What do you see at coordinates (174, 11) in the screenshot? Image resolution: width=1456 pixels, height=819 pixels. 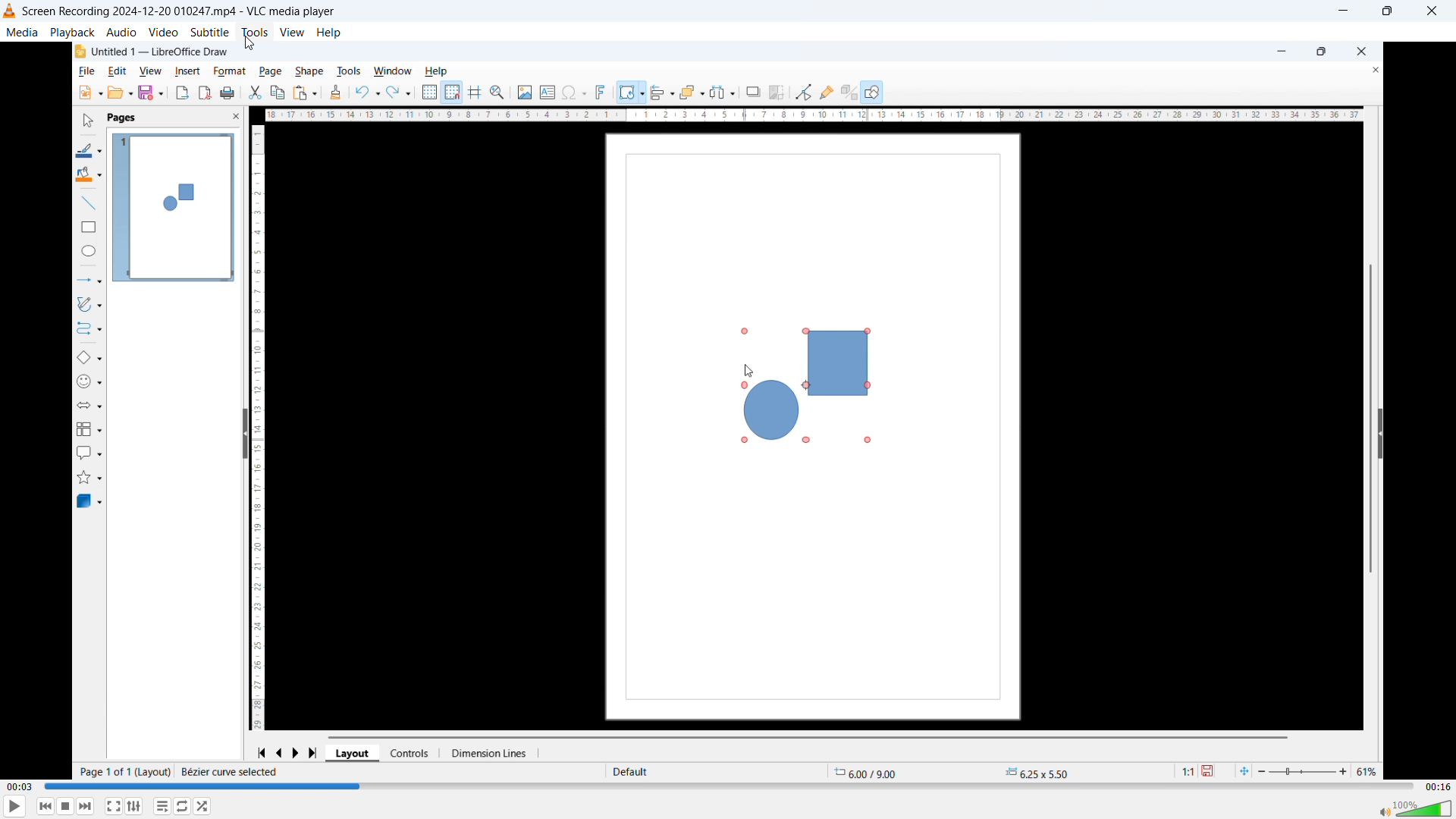 I see `Screen Recording 2024-12-20 010247.mp4 - VLC media player` at bounding box center [174, 11].